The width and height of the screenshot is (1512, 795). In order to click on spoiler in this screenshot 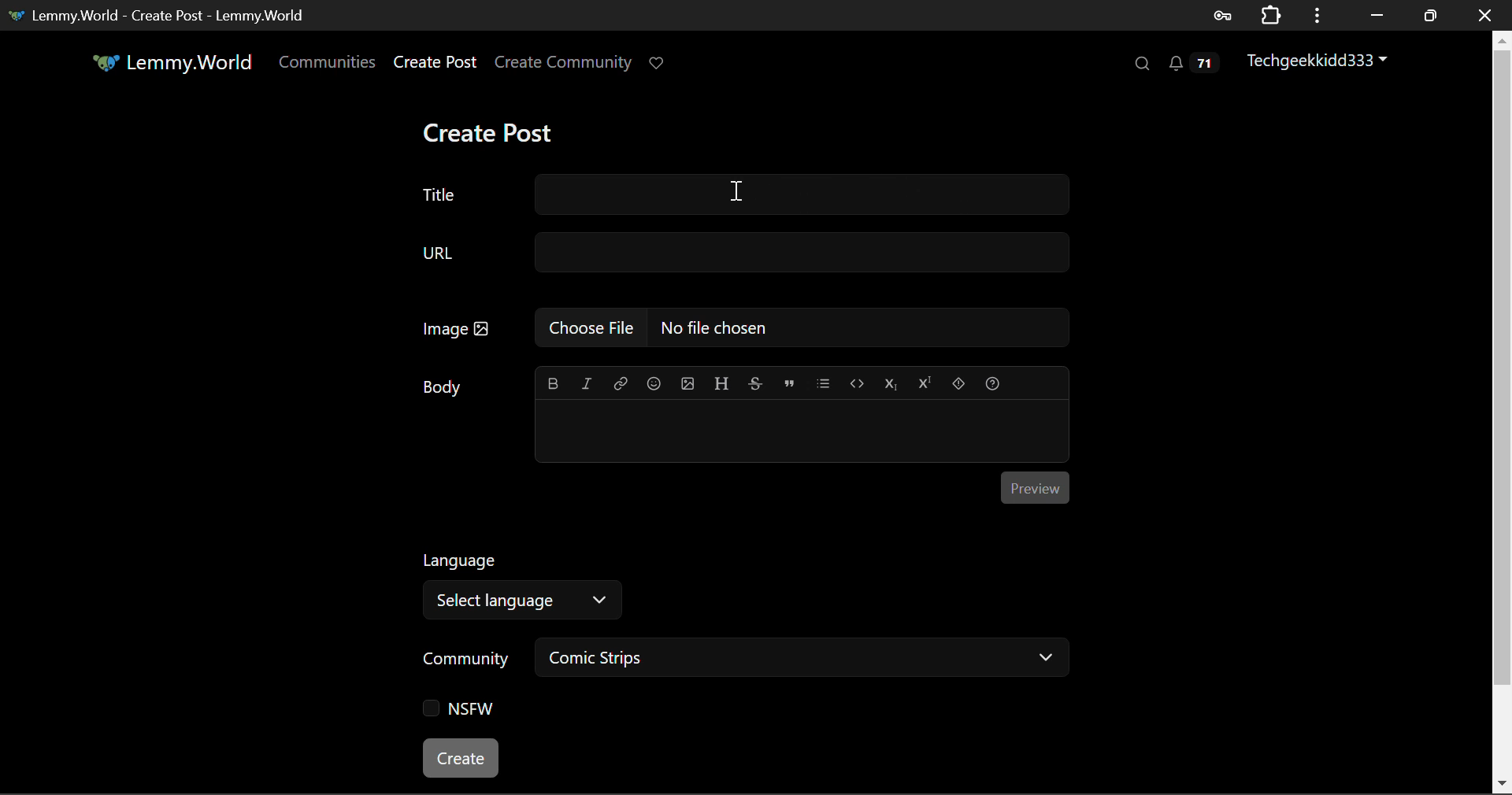, I will do `click(958, 383)`.